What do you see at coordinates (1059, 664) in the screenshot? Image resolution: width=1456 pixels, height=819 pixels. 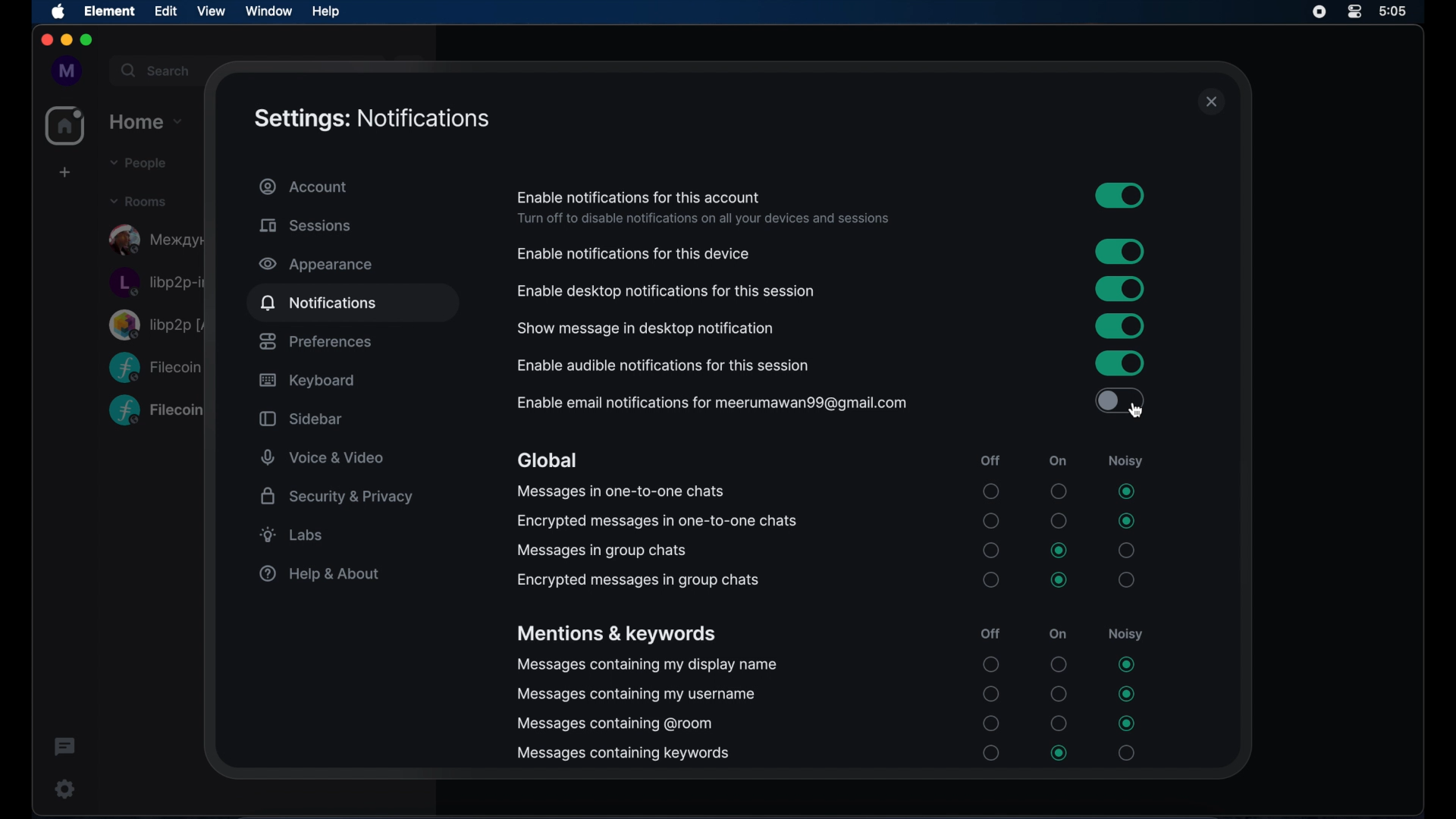 I see `radio button` at bounding box center [1059, 664].